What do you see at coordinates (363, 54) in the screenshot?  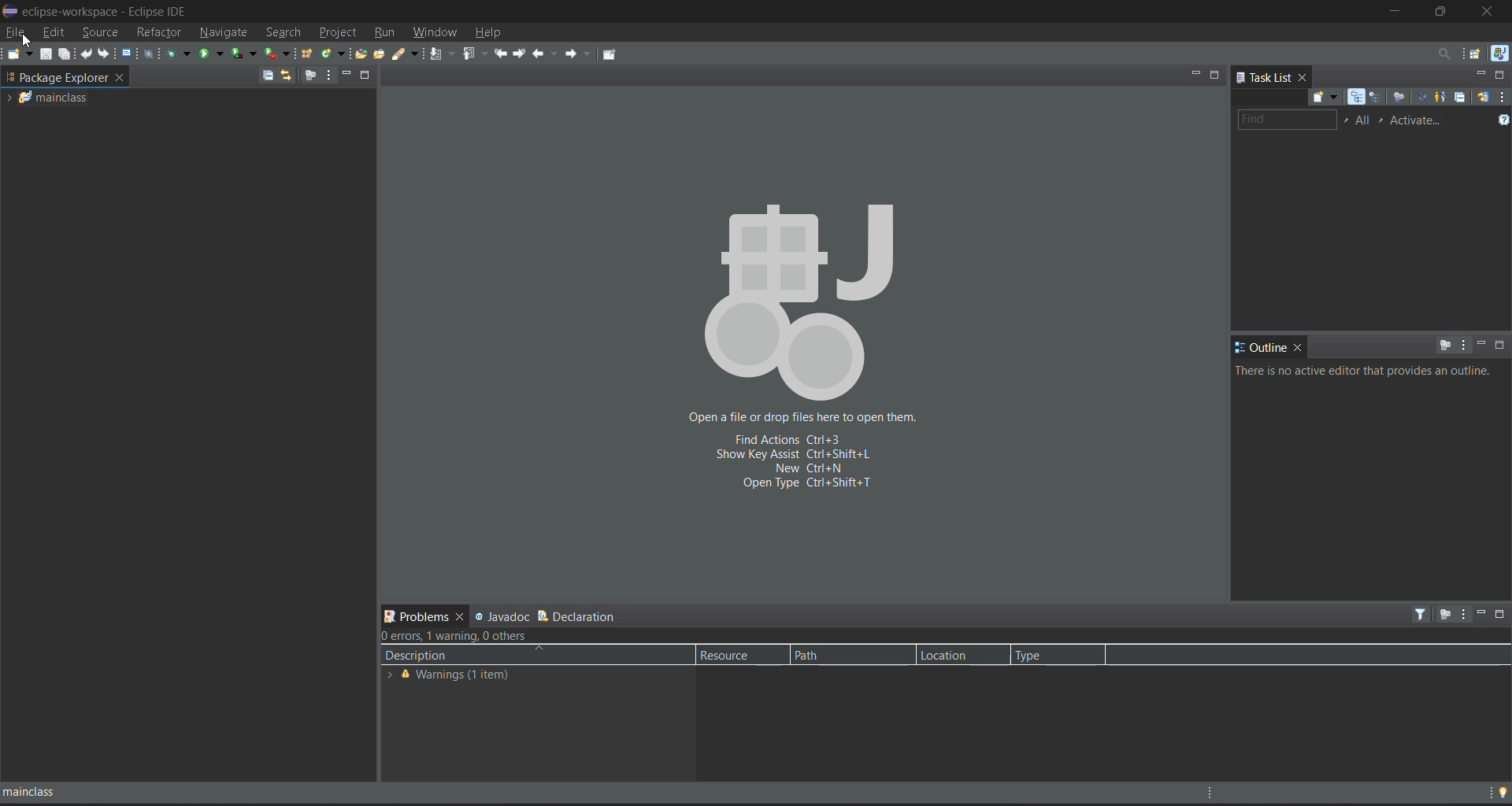 I see `open type` at bounding box center [363, 54].